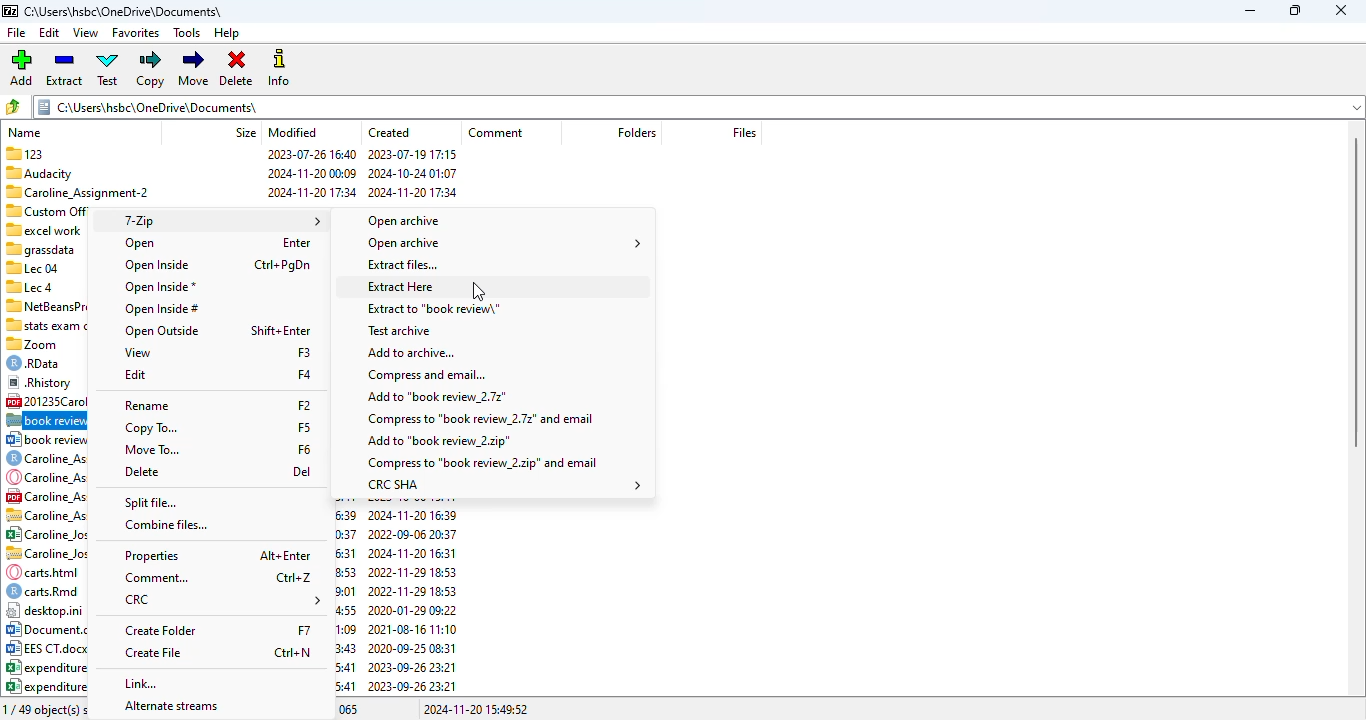  What do you see at coordinates (503, 244) in the screenshot?
I see `open archive` at bounding box center [503, 244].